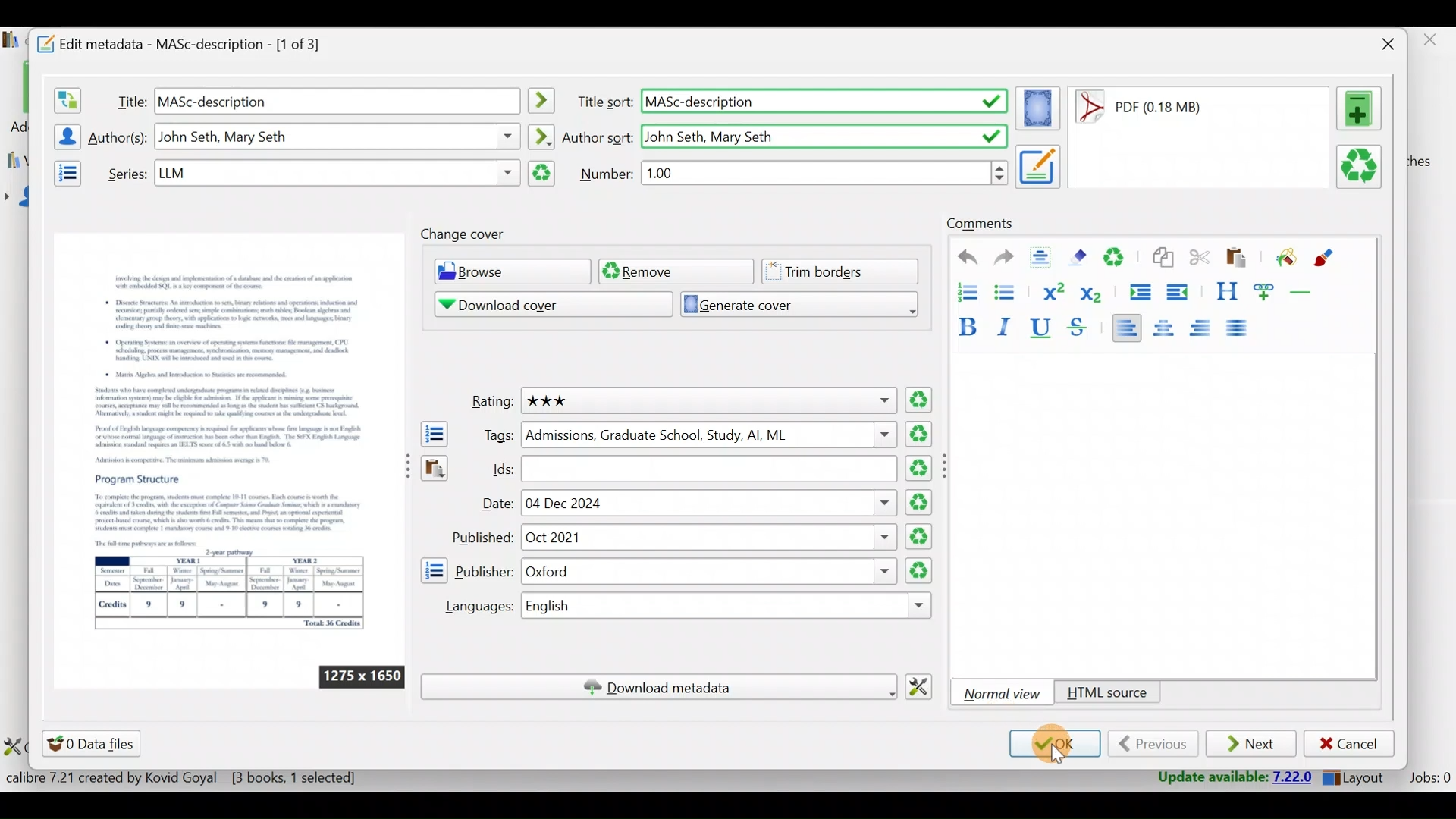 The image size is (1456, 819). What do you see at coordinates (336, 173) in the screenshot?
I see `` at bounding box center [336, 173].